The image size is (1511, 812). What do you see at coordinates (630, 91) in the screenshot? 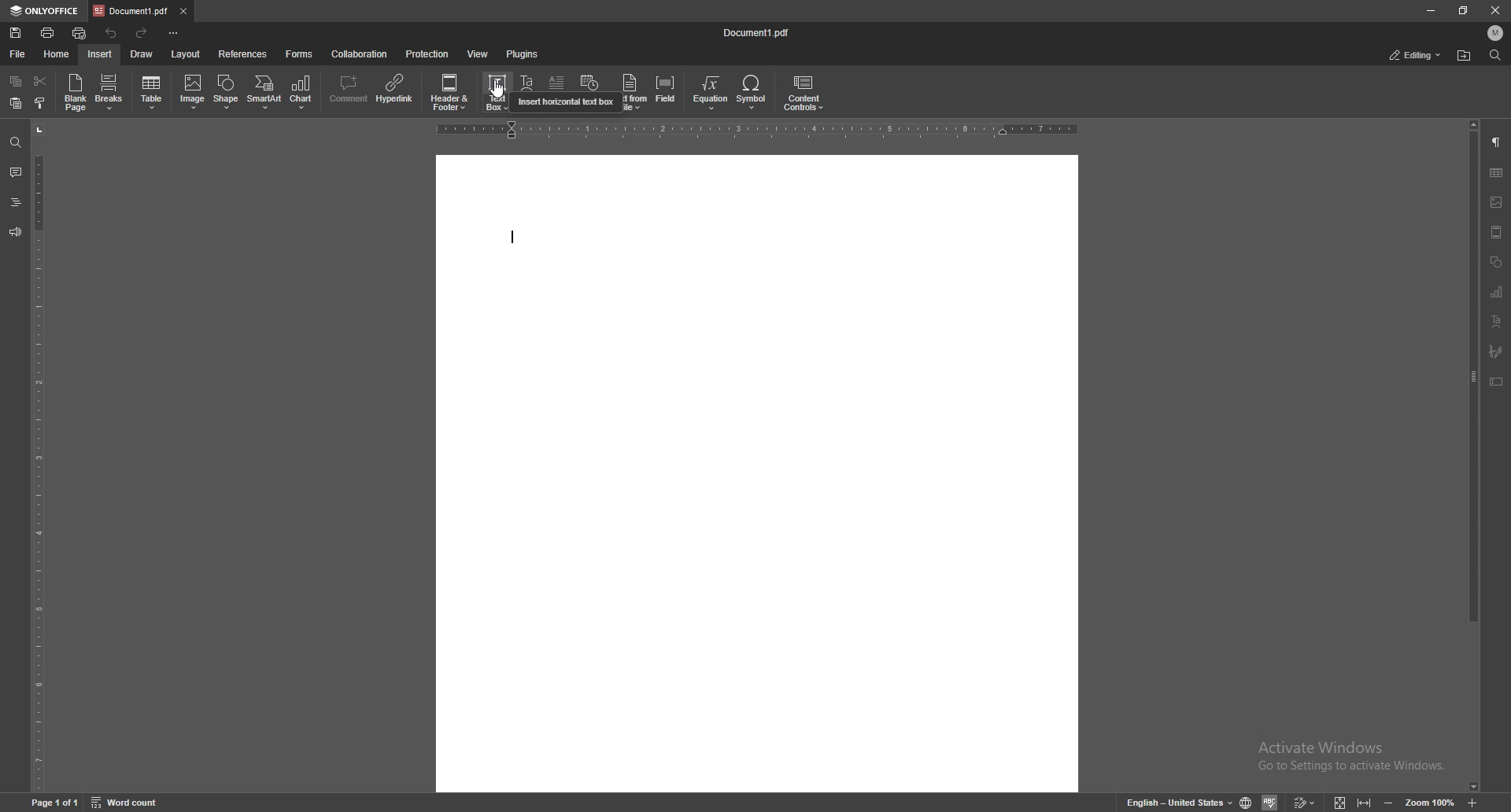
I see `text from file` at bounding box center [630, 91].